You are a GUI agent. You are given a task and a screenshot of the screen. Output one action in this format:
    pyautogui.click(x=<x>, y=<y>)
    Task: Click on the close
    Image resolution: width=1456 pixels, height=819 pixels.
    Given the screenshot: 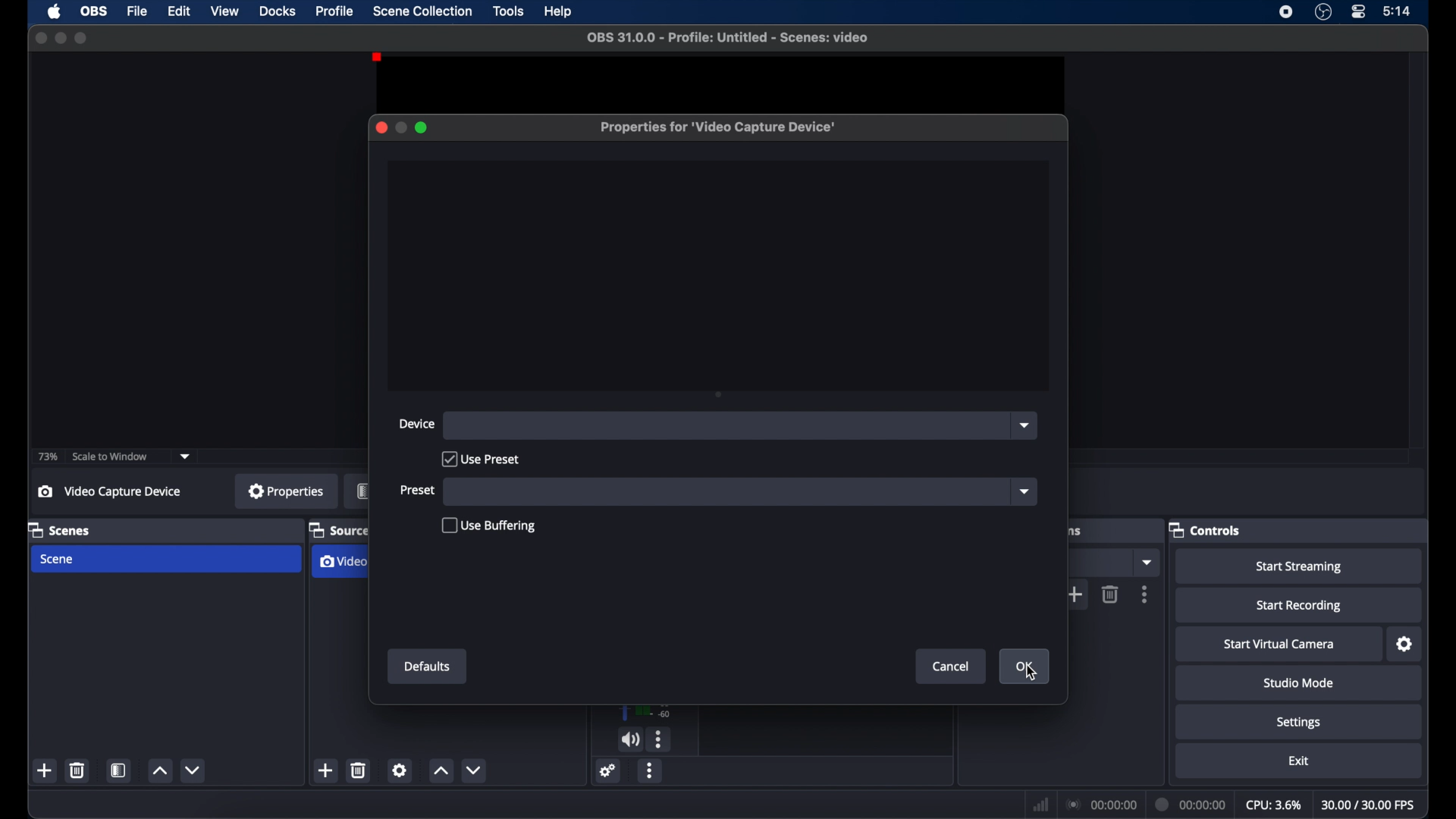 What is the action you would take?
    pyautogui.click(x=39, y=38)
    